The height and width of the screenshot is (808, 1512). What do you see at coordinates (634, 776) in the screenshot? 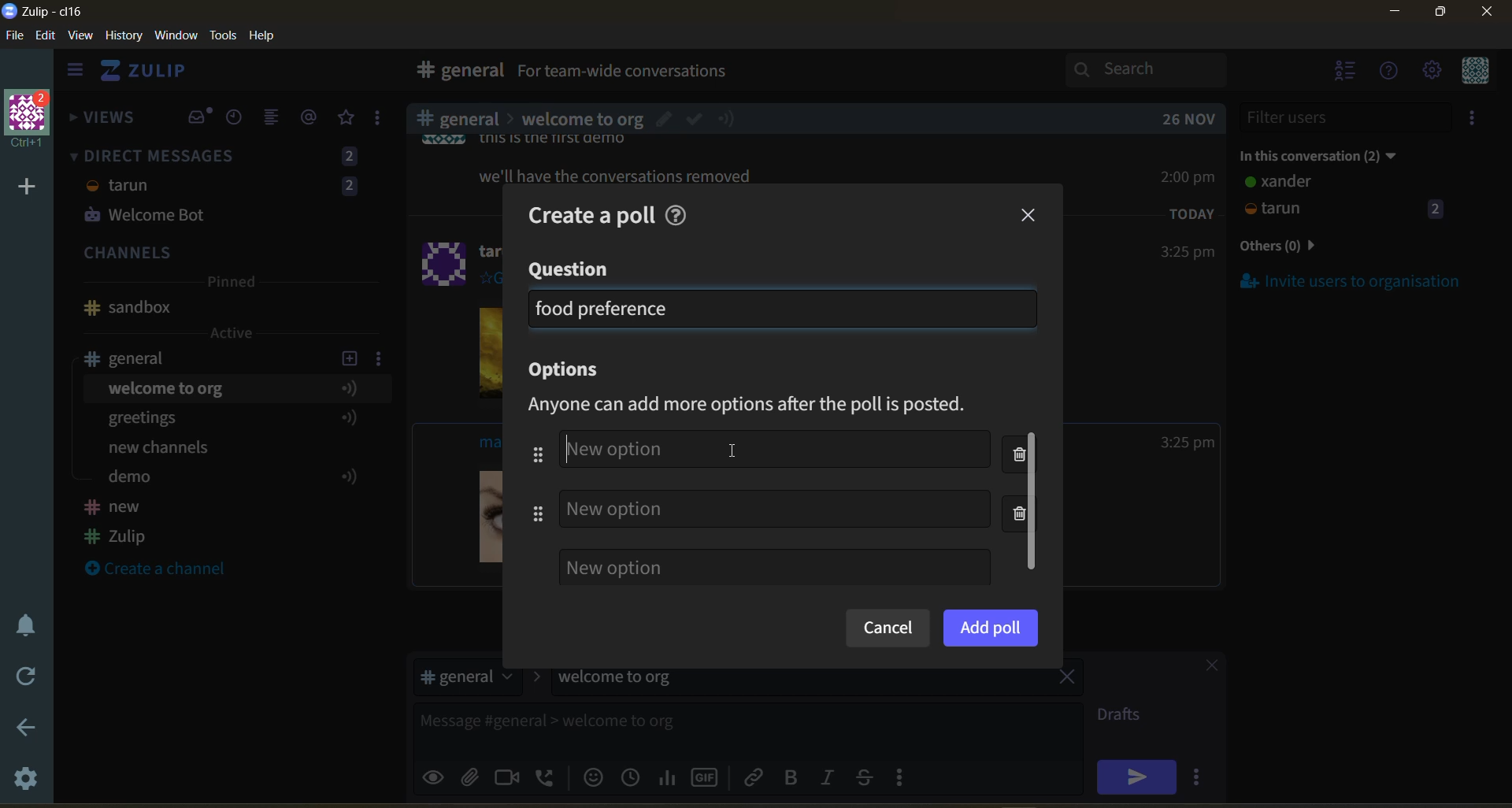
I see `add global time` at bounding box center [634, 776].